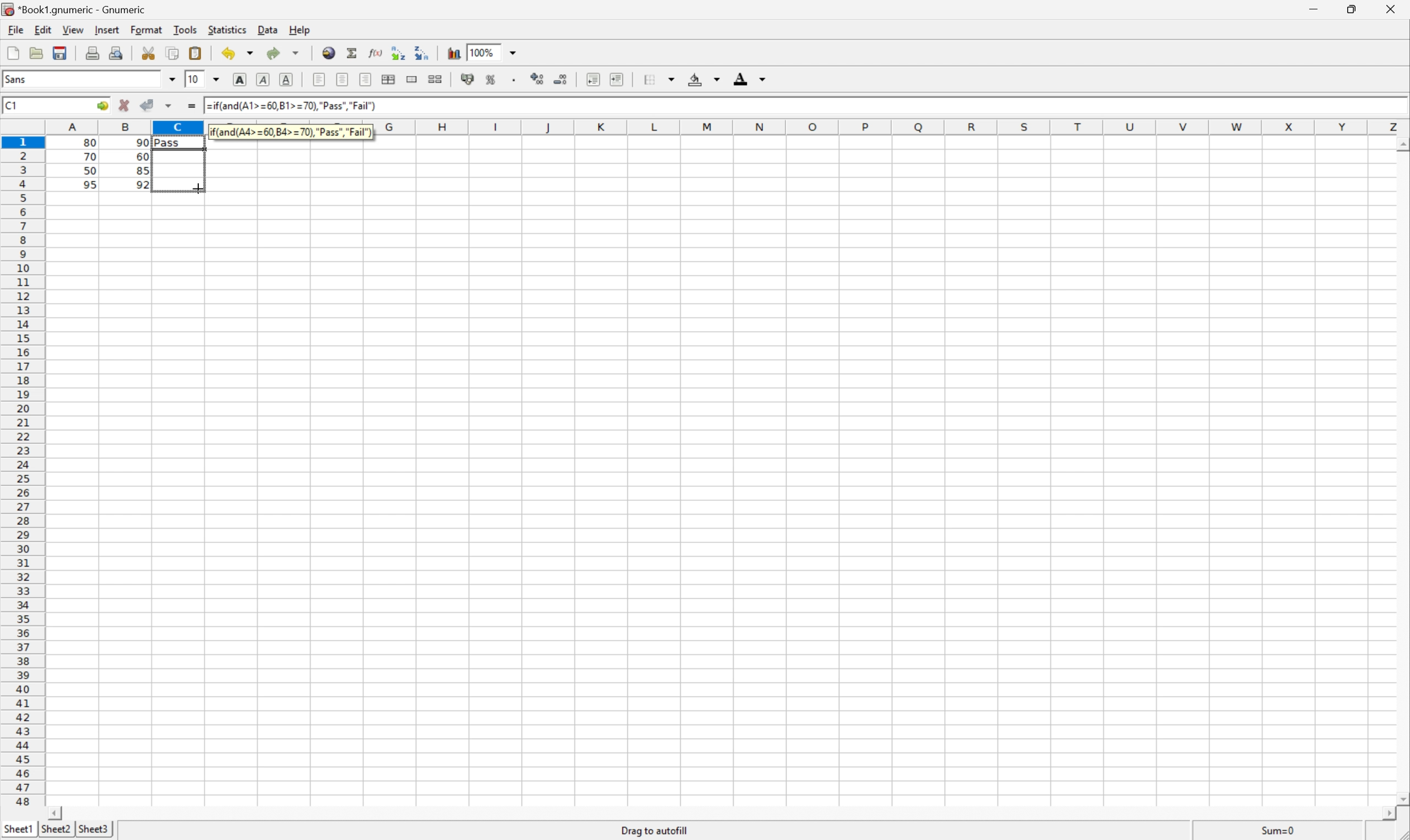 The width and height of the screenshot is (1410, 840). I want to click on Increase indent, and align the contents to the left, so click(593, 78).